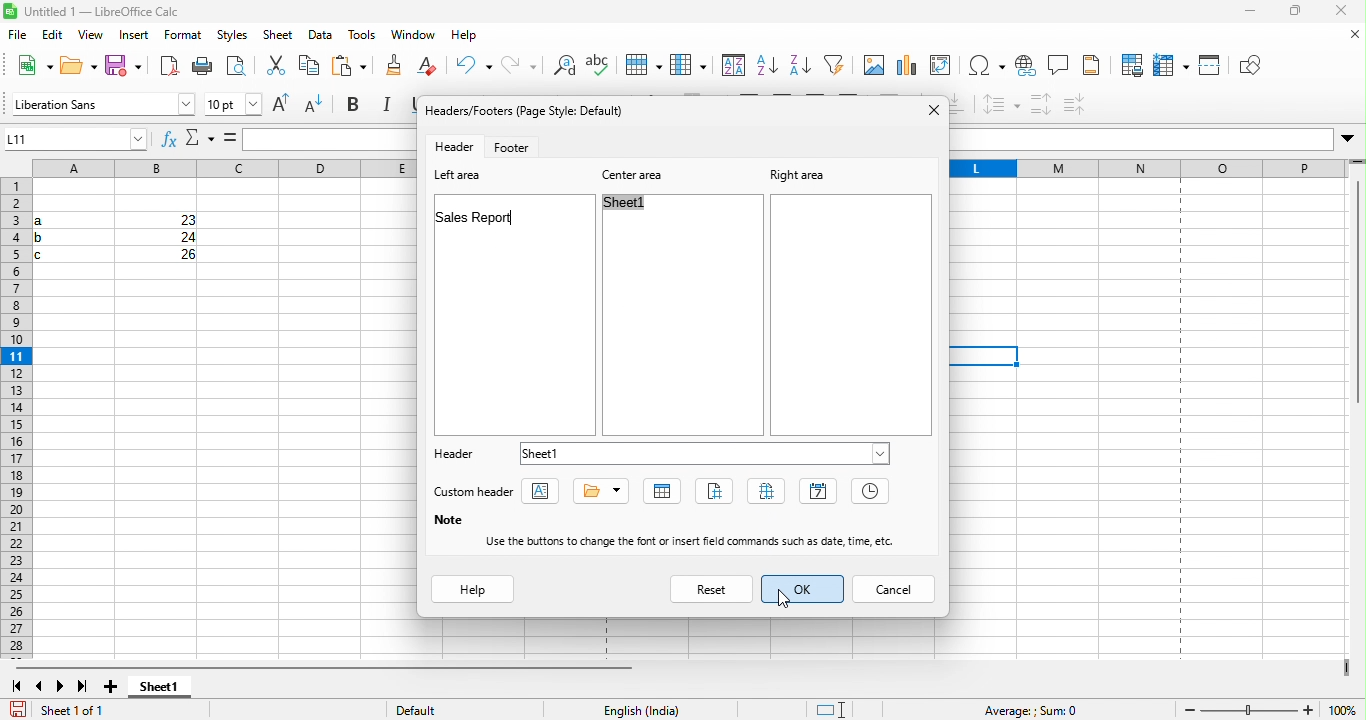 Image resolution: width=1366 pixels, height=720 pixels. I want to click on increase paragraph spacing, so click(1040, 104).